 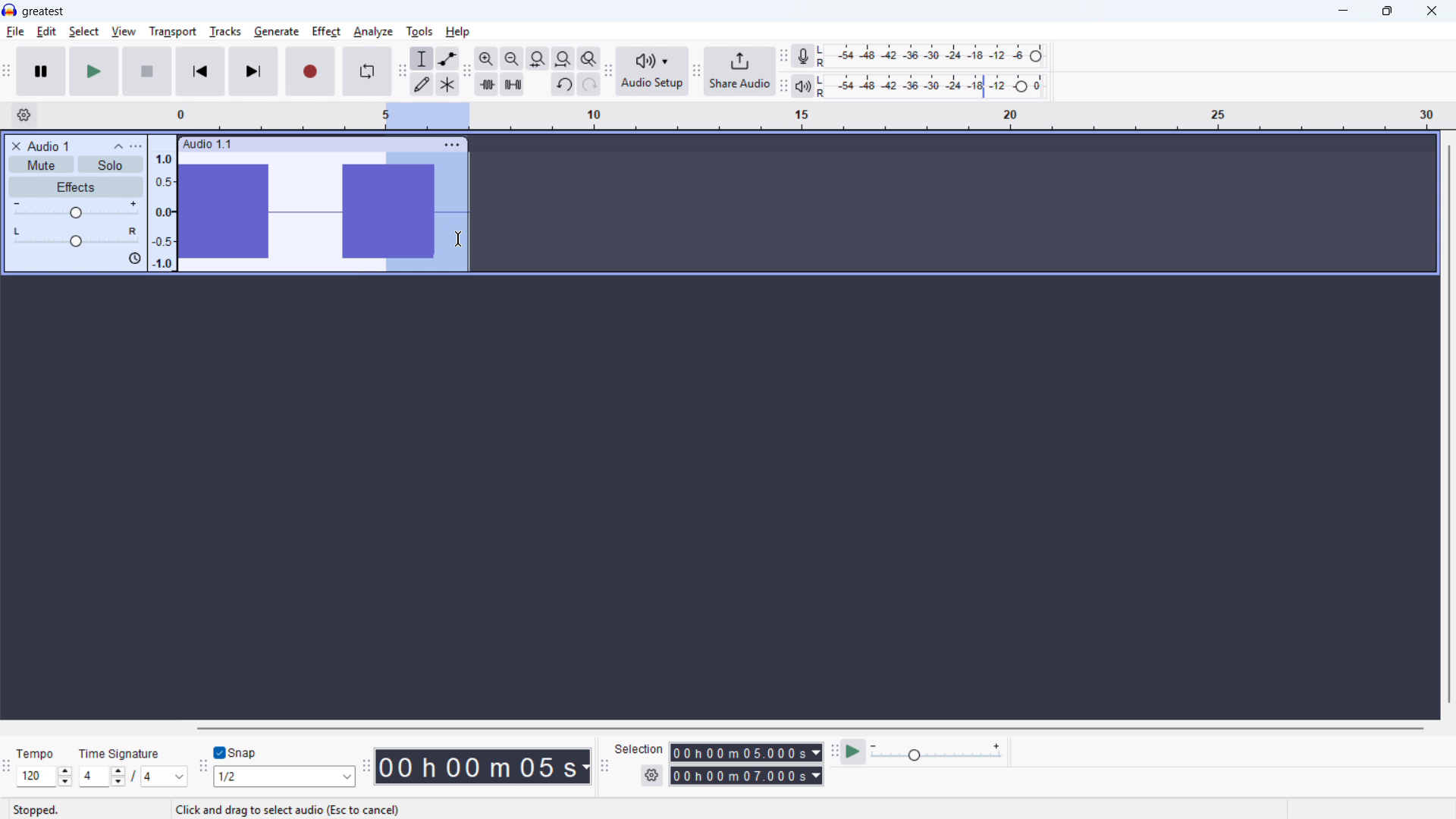 I want to click on Skip to start , so click(x=200, y=71).